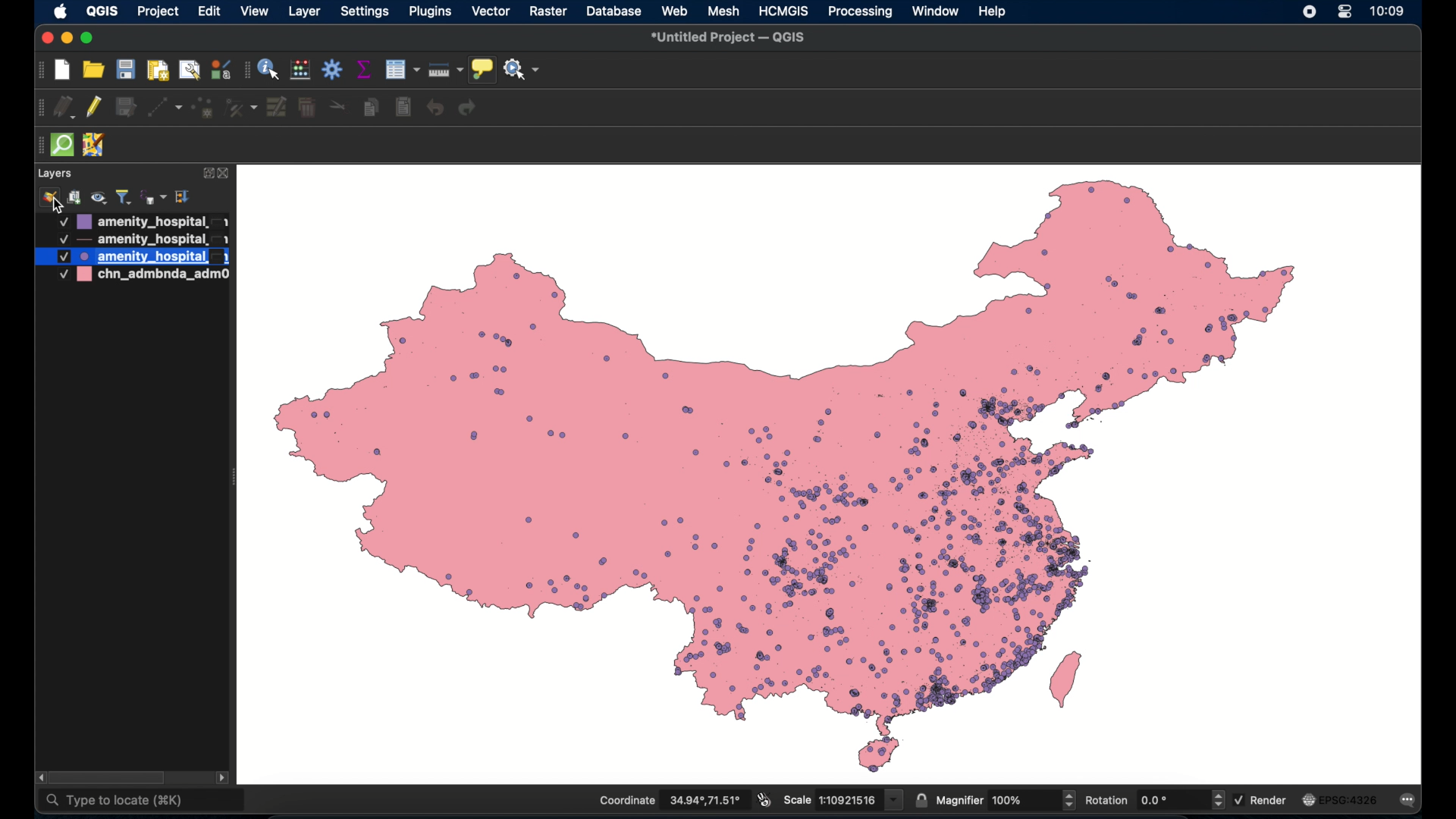  I want to click on delete selected, so click(307, 108).